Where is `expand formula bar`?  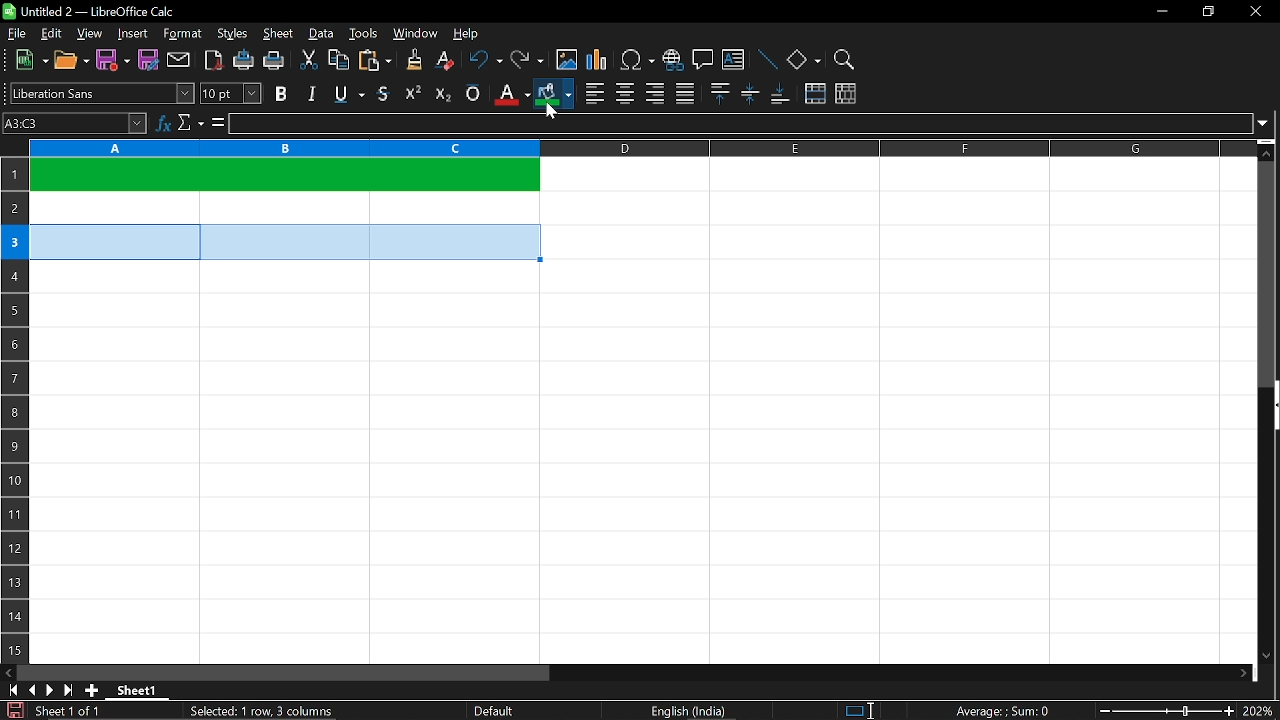
expand formula bar is located at coordinates (1266, 123).